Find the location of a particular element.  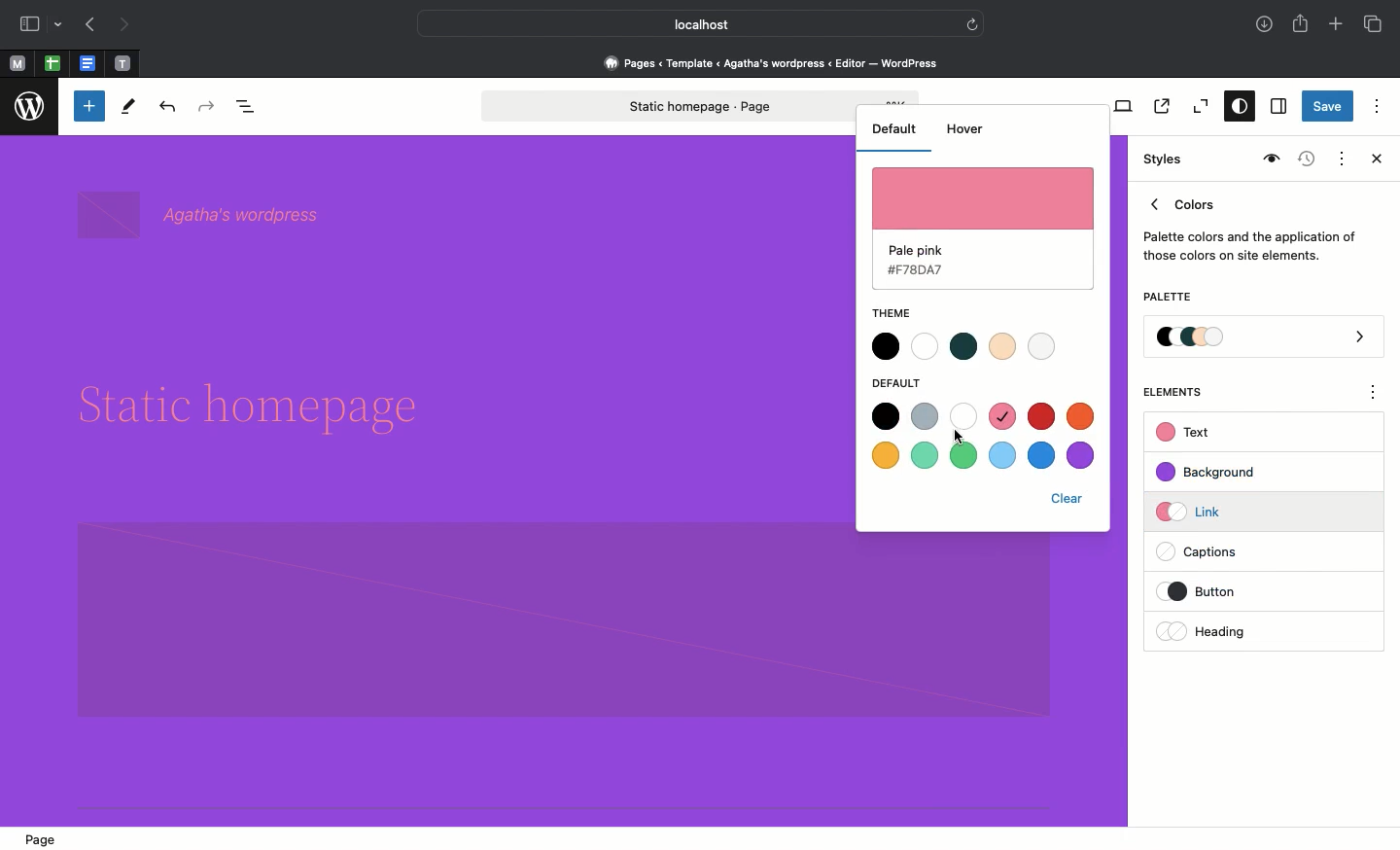

wordpress is located at coordinates (30, 107).